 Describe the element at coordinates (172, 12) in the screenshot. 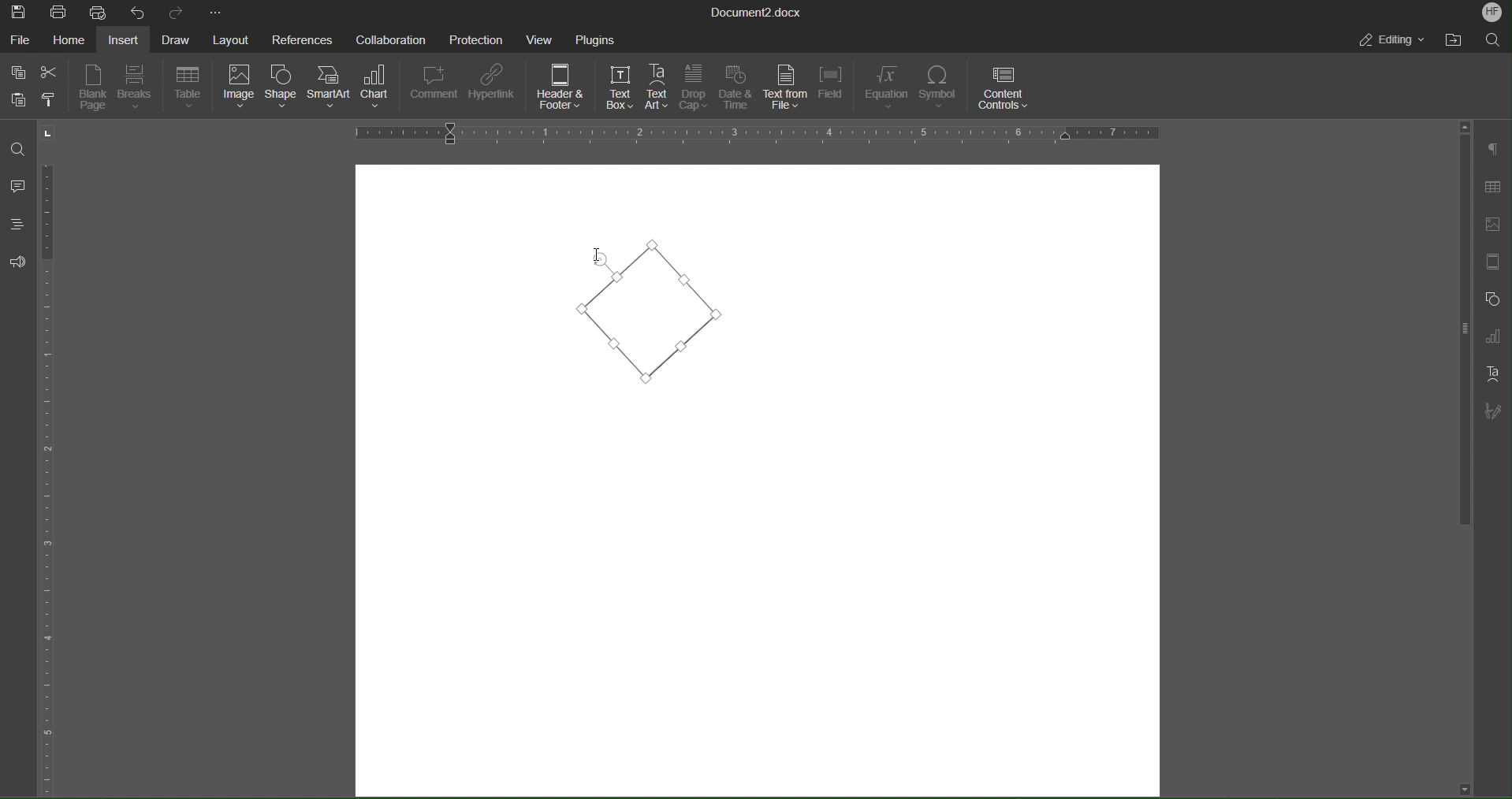

I see `Redo` at that location.